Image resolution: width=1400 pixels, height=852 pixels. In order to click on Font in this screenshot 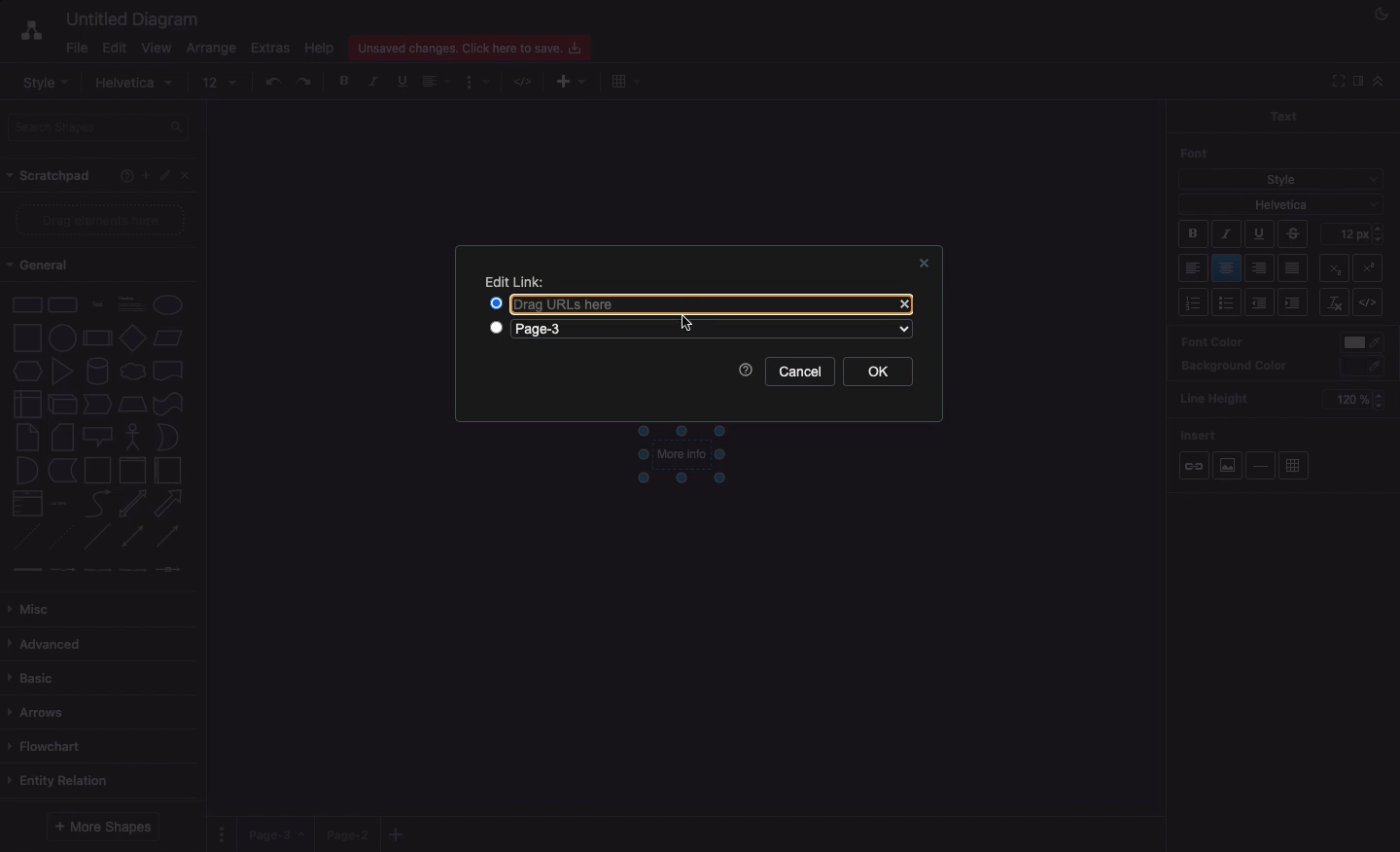, I will do `click(1196, 153)`.